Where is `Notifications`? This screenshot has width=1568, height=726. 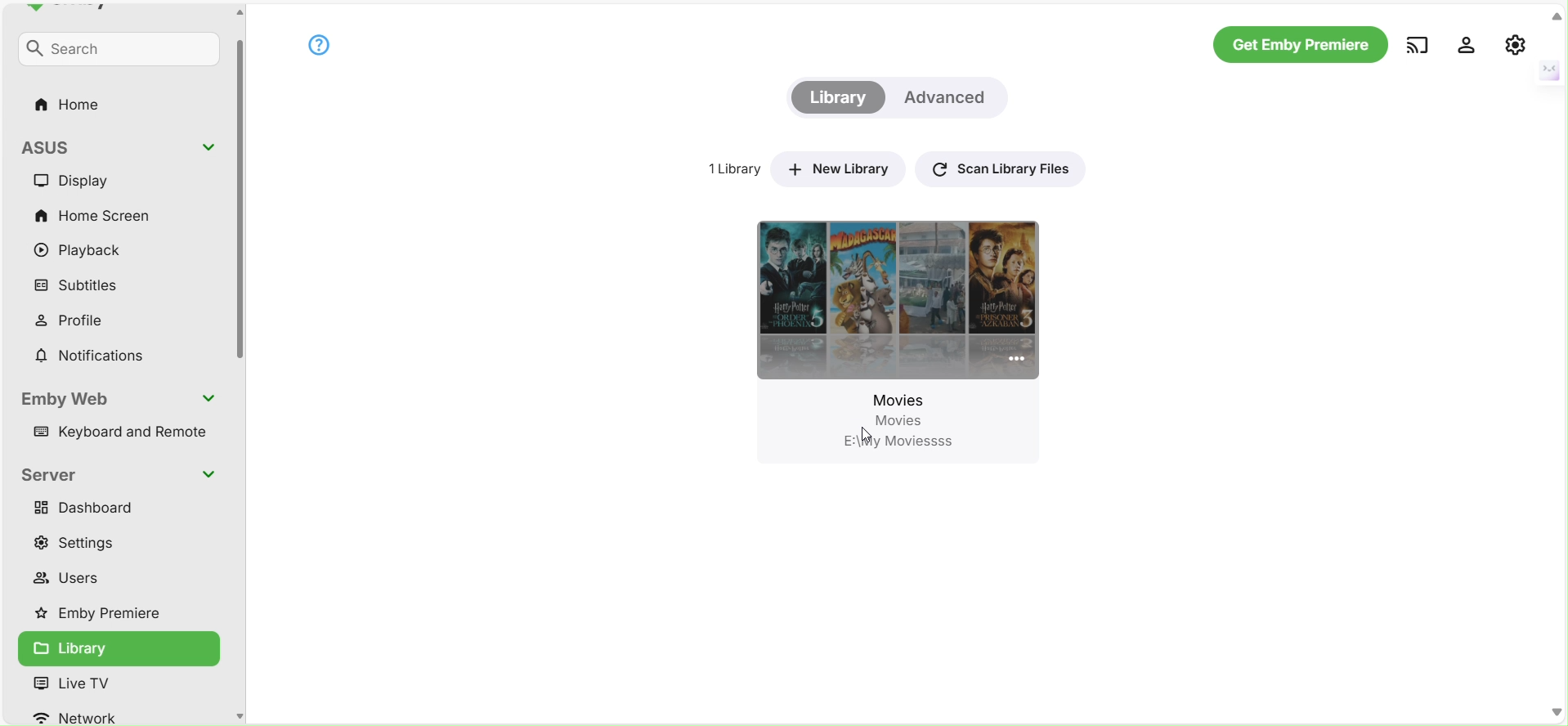 Notifications is located at coordinates (91, 351).